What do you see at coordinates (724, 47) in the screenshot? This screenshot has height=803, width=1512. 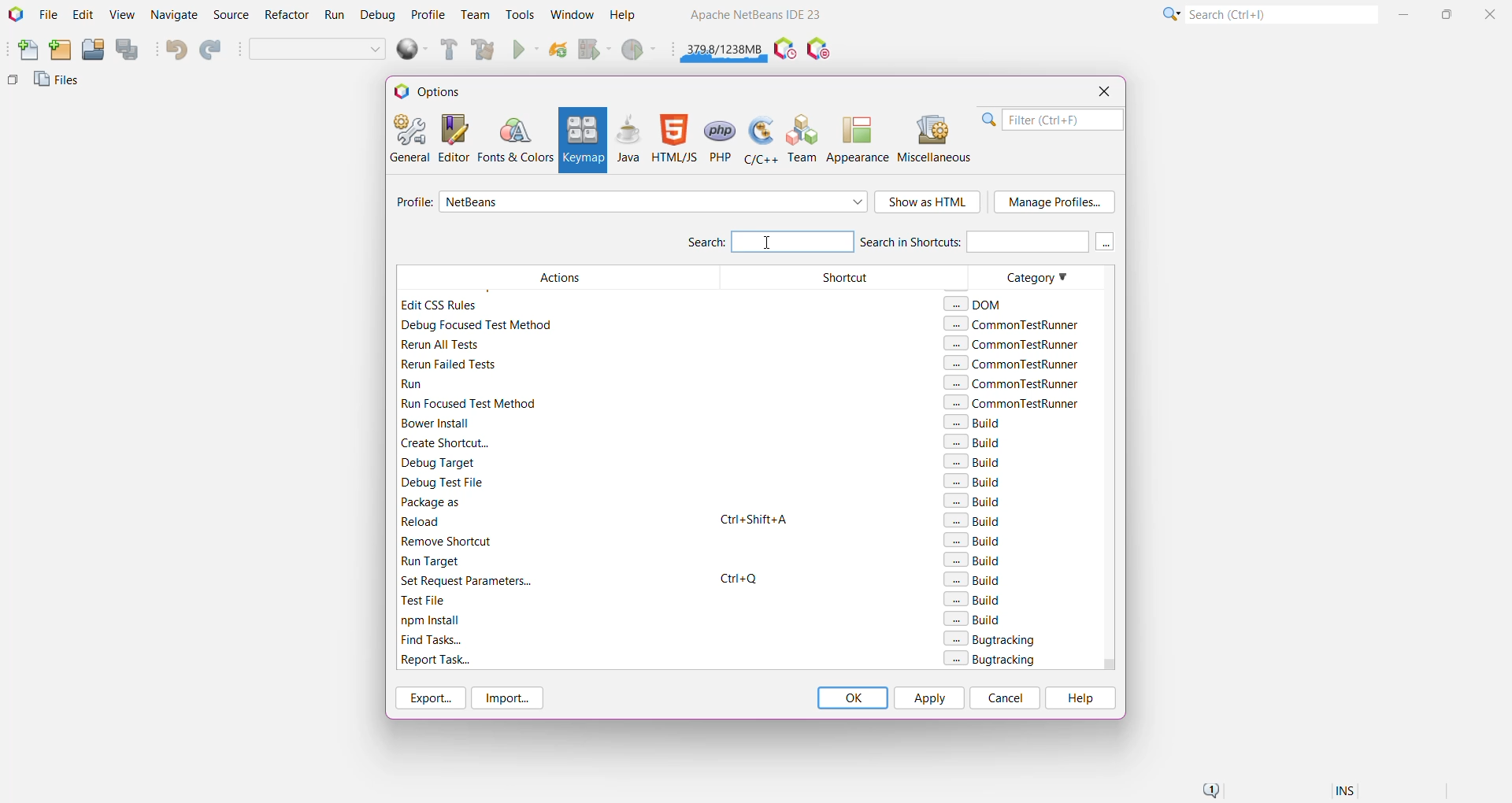 I see `Click to force garbage collection` at bounding box center [724, 47].